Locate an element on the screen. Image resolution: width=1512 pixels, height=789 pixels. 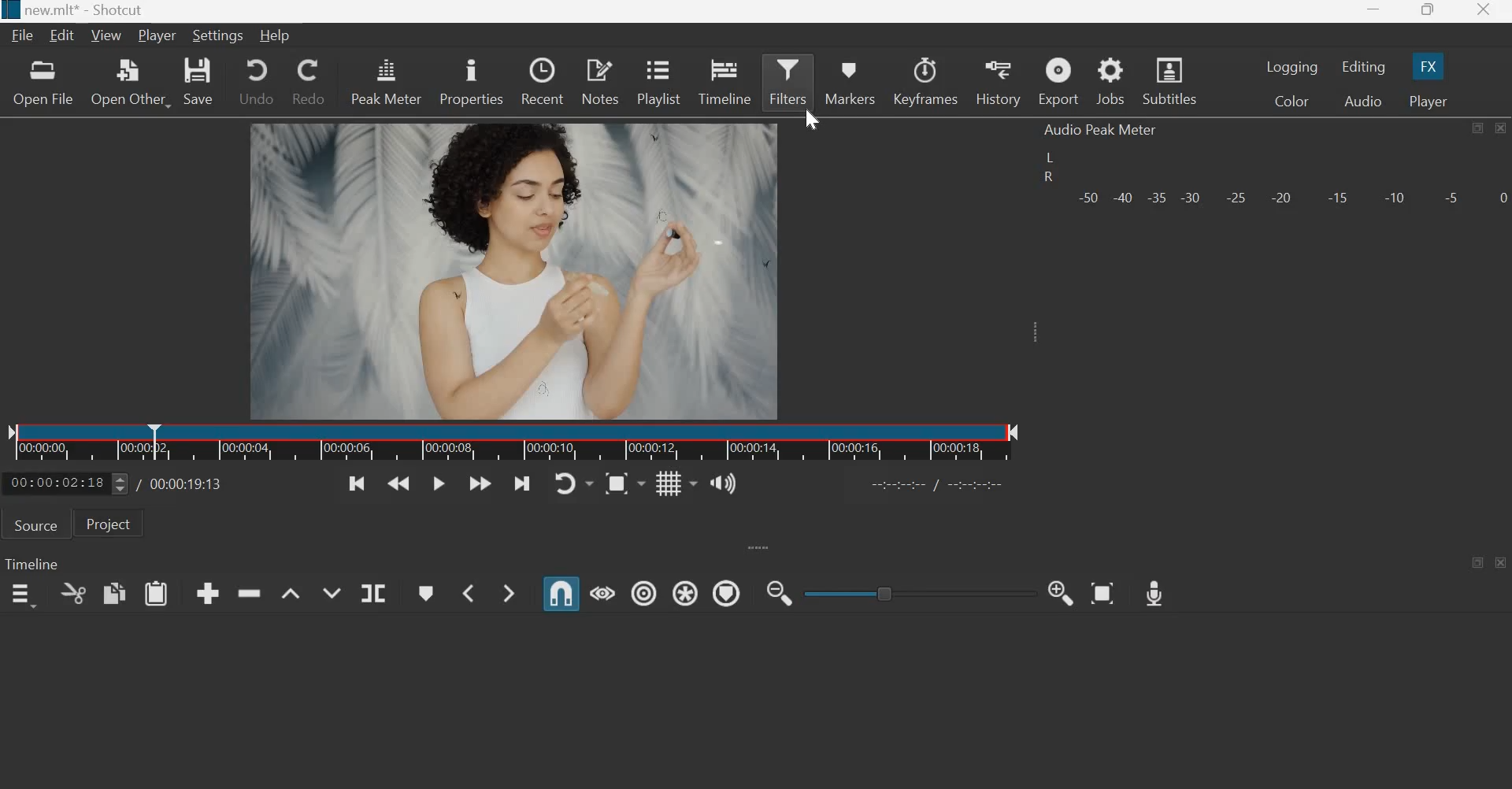
expand is located at coordinates (1040, 338).